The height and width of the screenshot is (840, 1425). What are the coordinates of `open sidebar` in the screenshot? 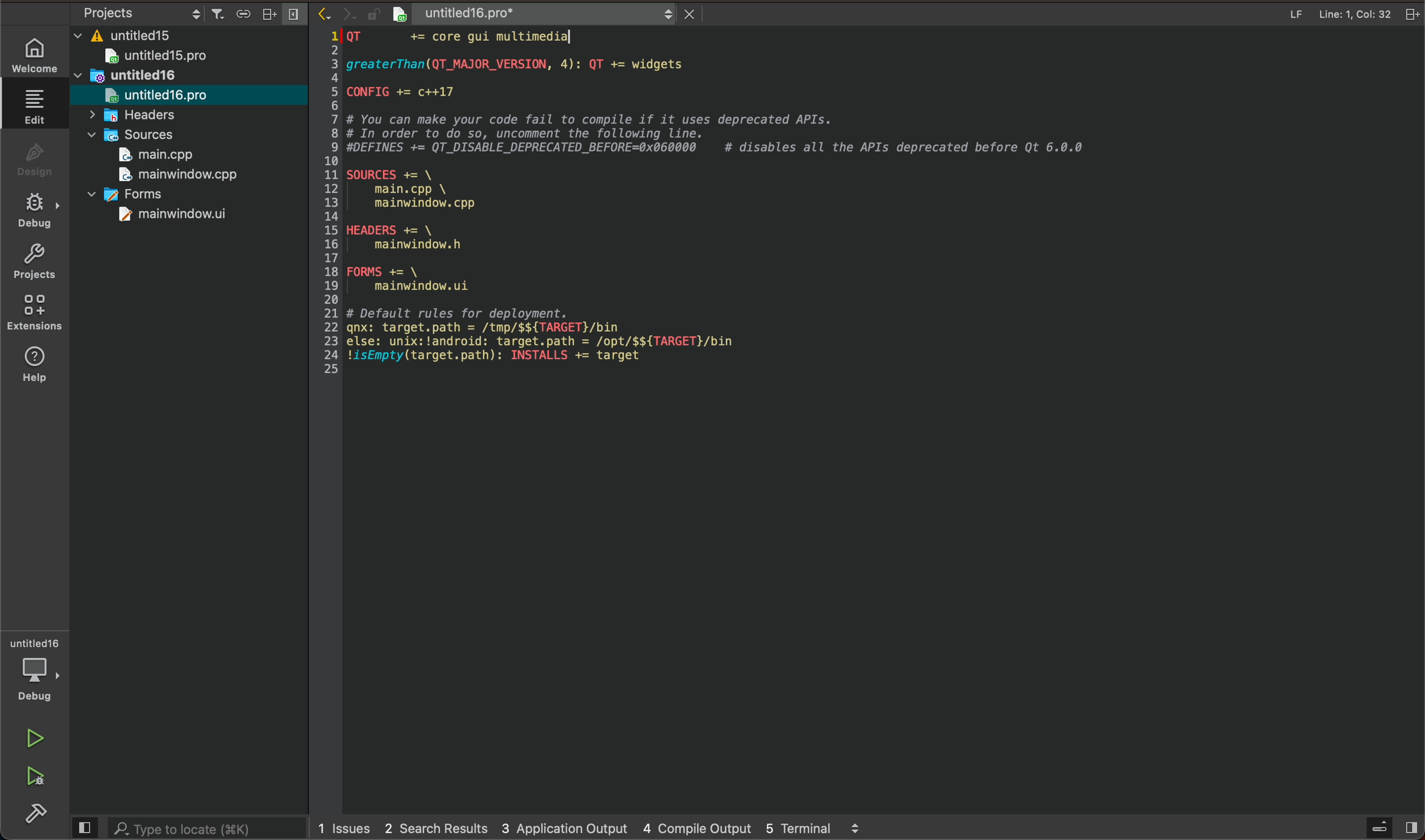 It's located at (1388, 828).